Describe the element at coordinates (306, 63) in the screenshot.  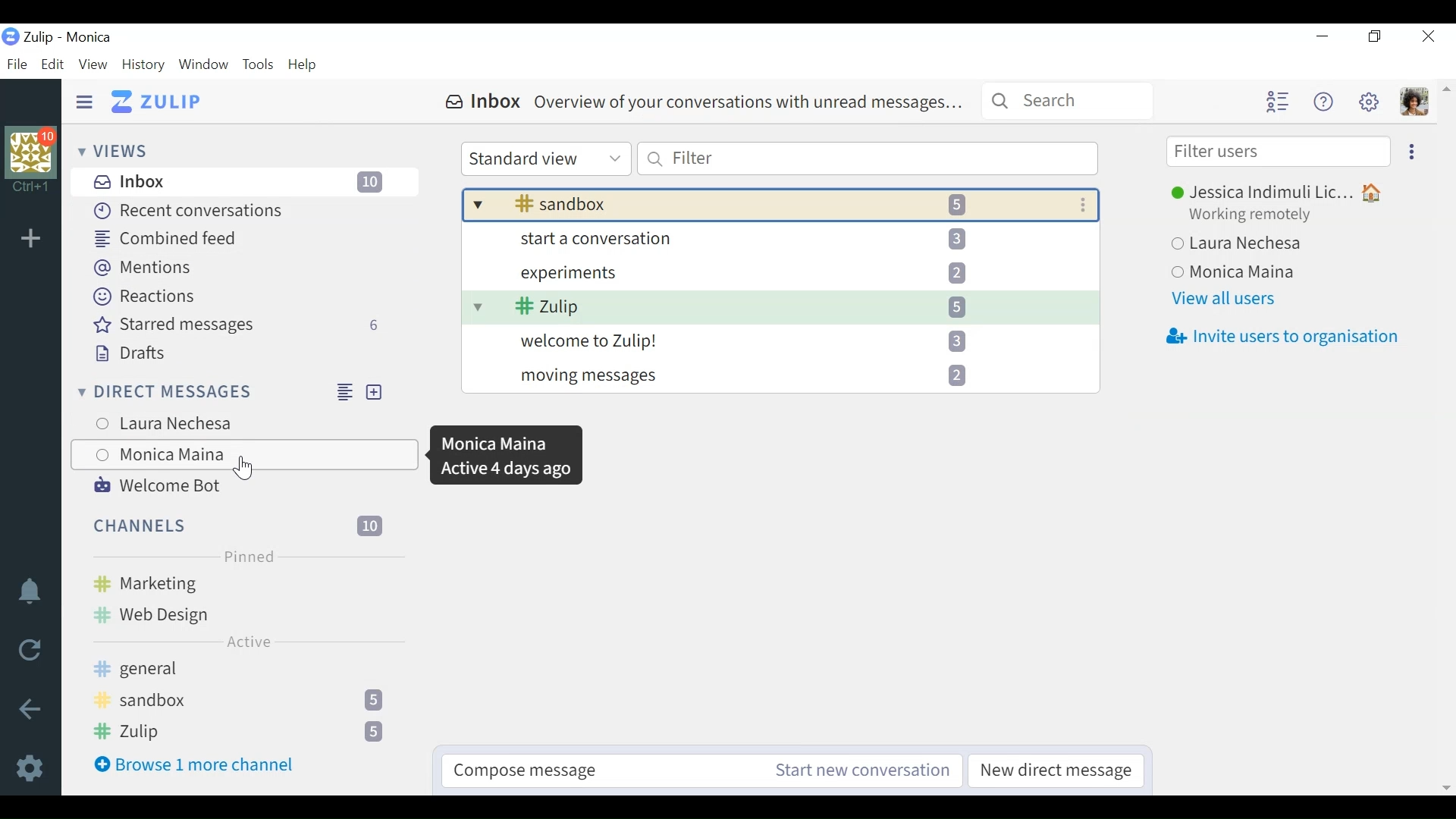
I see `Help` at that location.